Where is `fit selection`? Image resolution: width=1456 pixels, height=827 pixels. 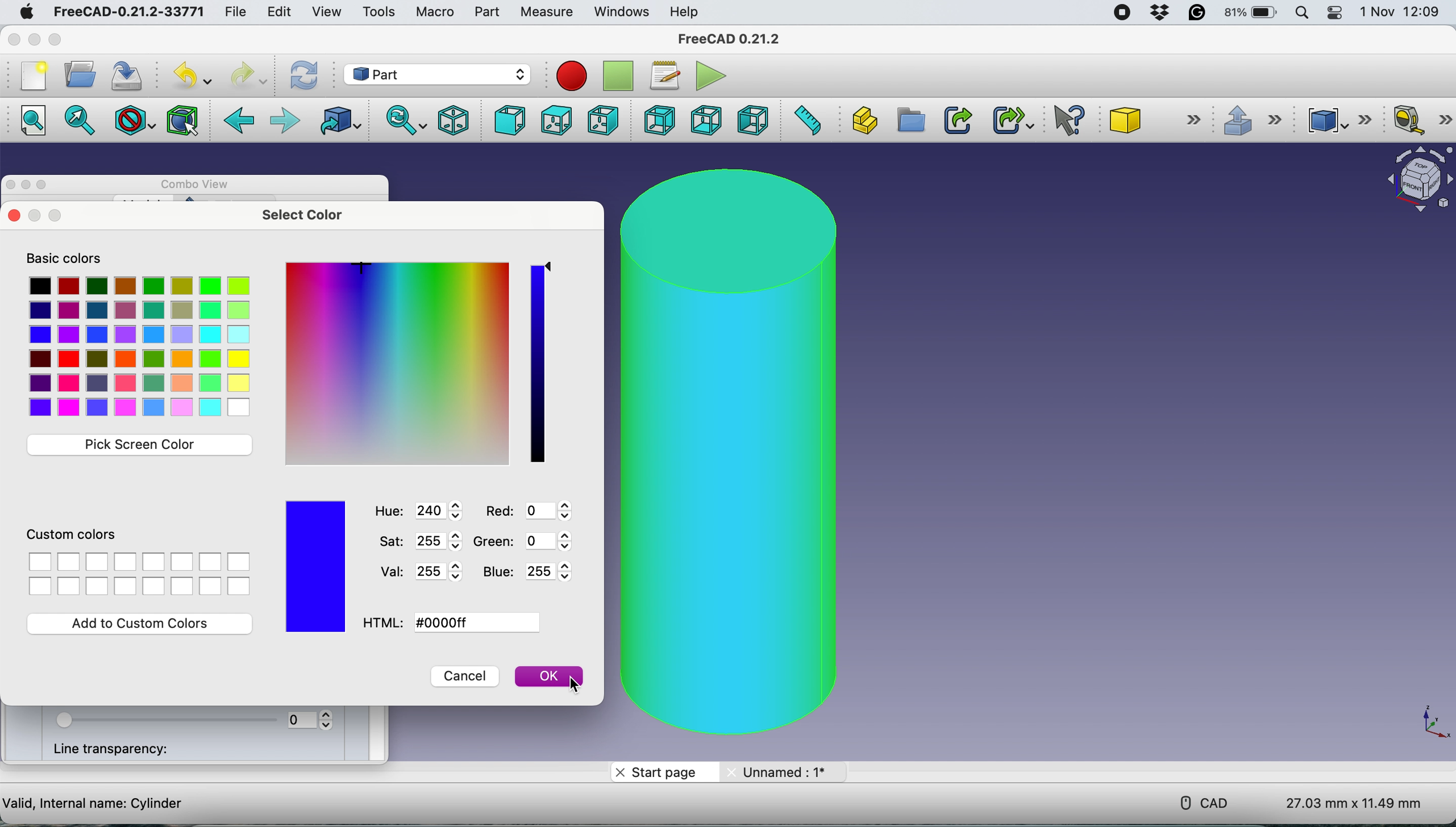
fit selection is located at coordinates (80, 122).